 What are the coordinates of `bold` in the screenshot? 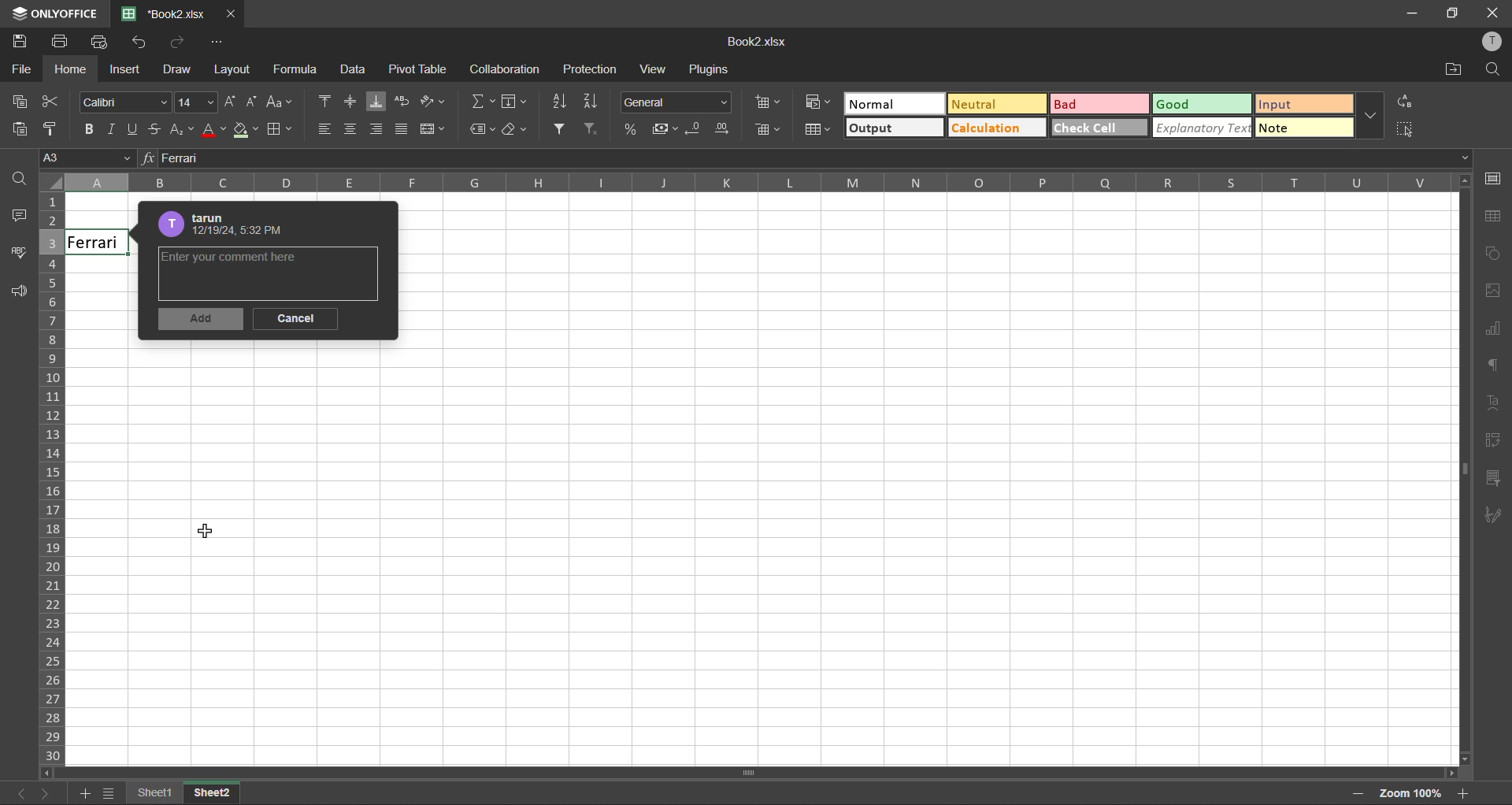 It's located at (86, 131).